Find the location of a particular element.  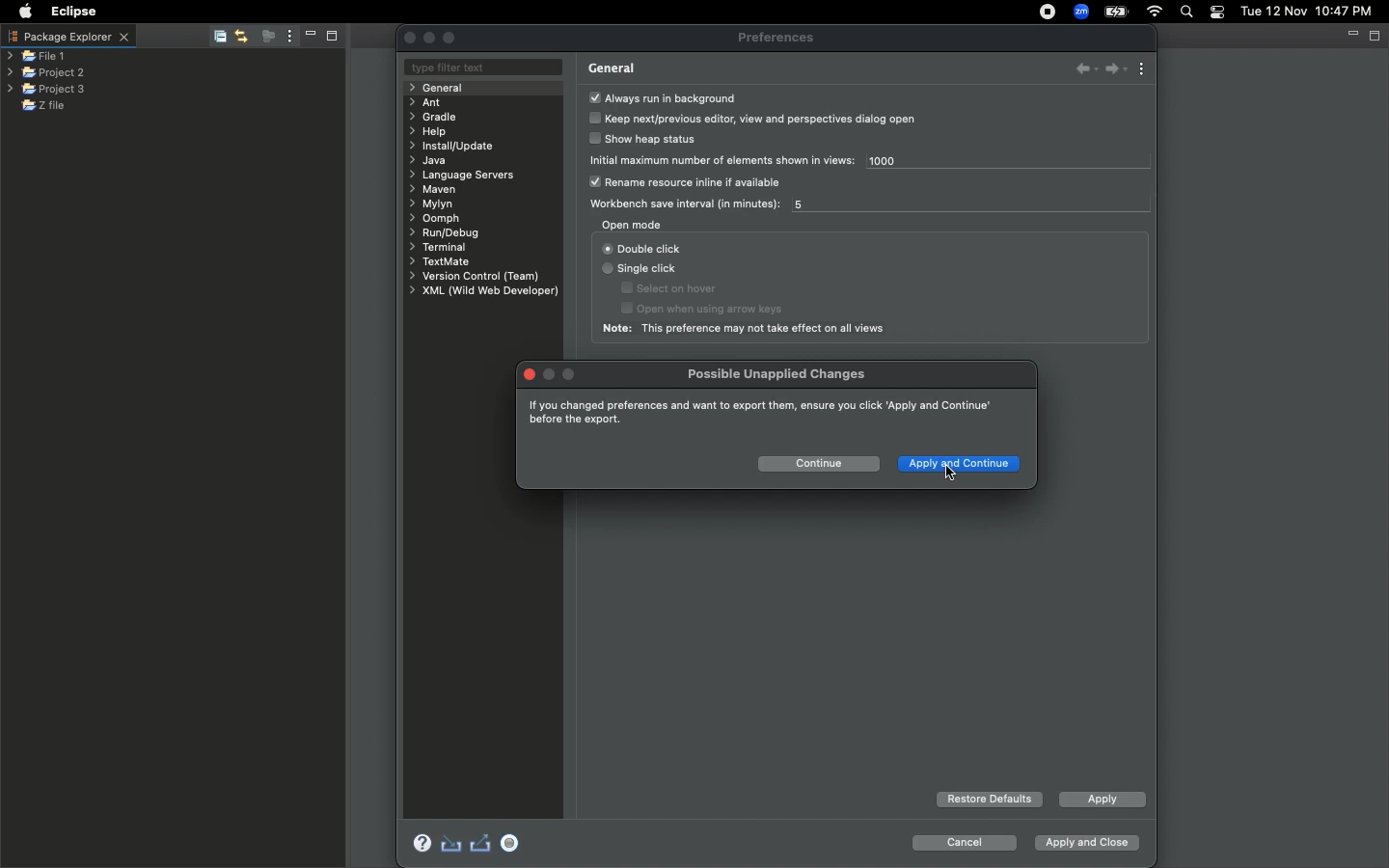

Package explorer is located at coordinates (70, 38).